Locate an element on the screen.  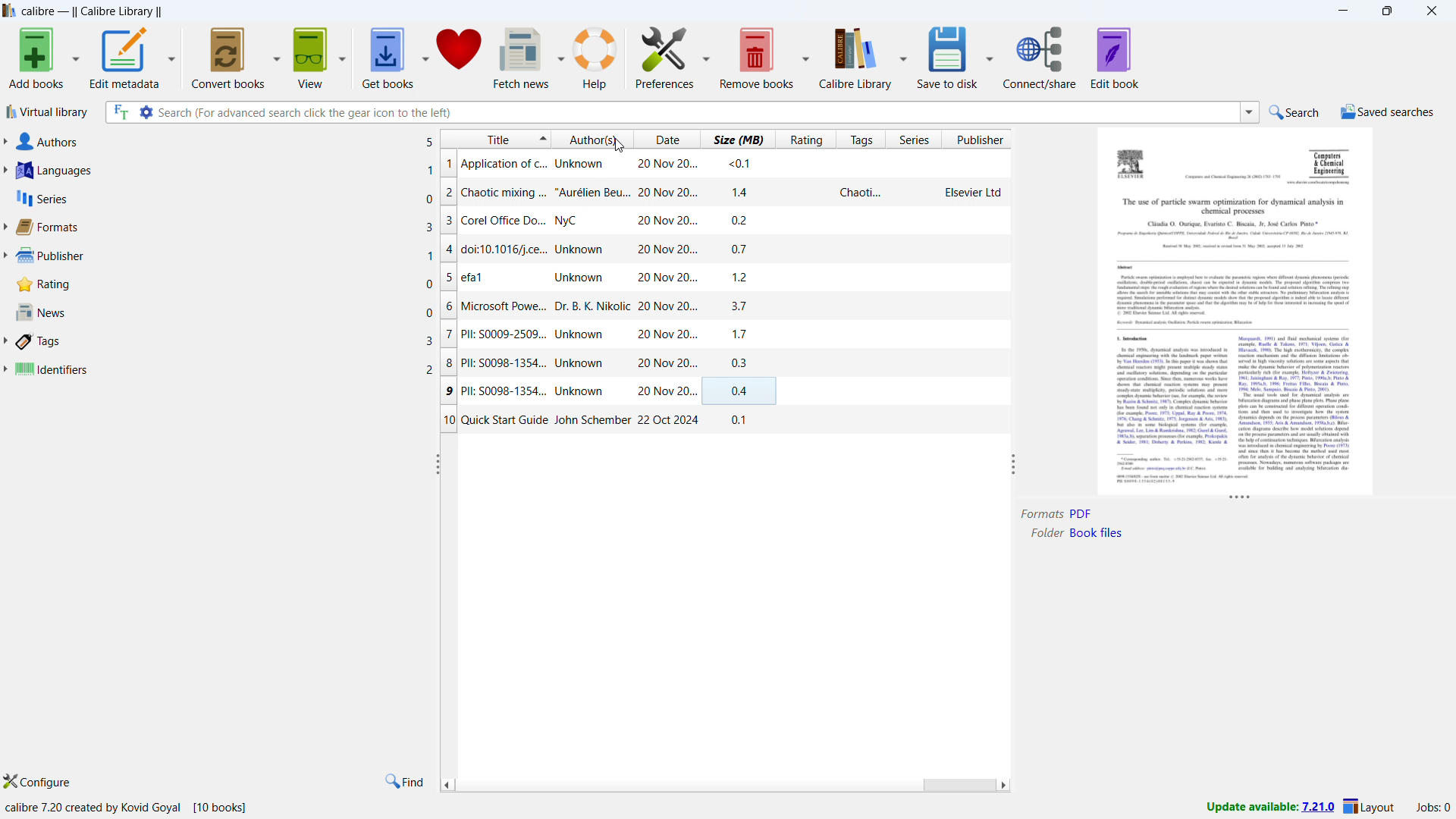
sort by tags is located at coordinates (859, 139).